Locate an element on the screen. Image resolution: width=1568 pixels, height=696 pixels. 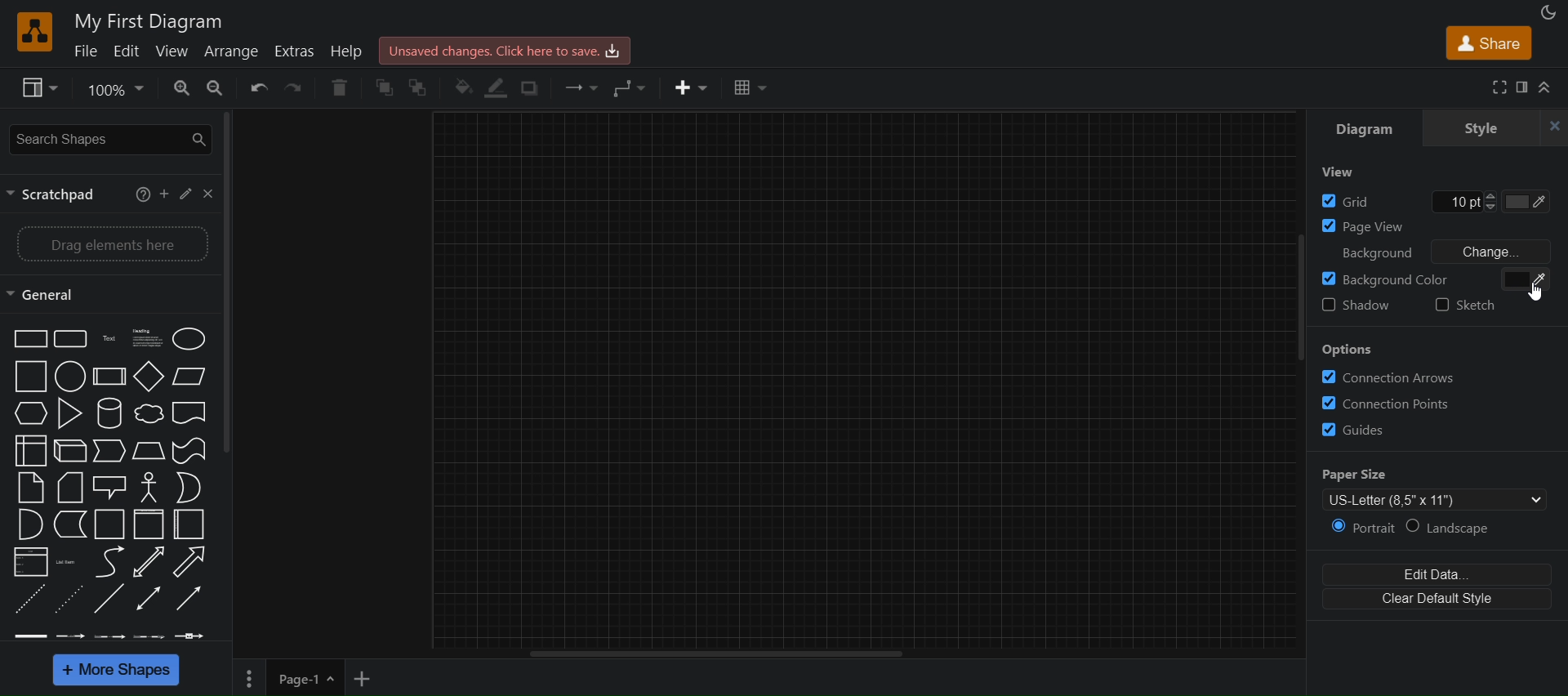
guides is located at coordinates (1436, 431).